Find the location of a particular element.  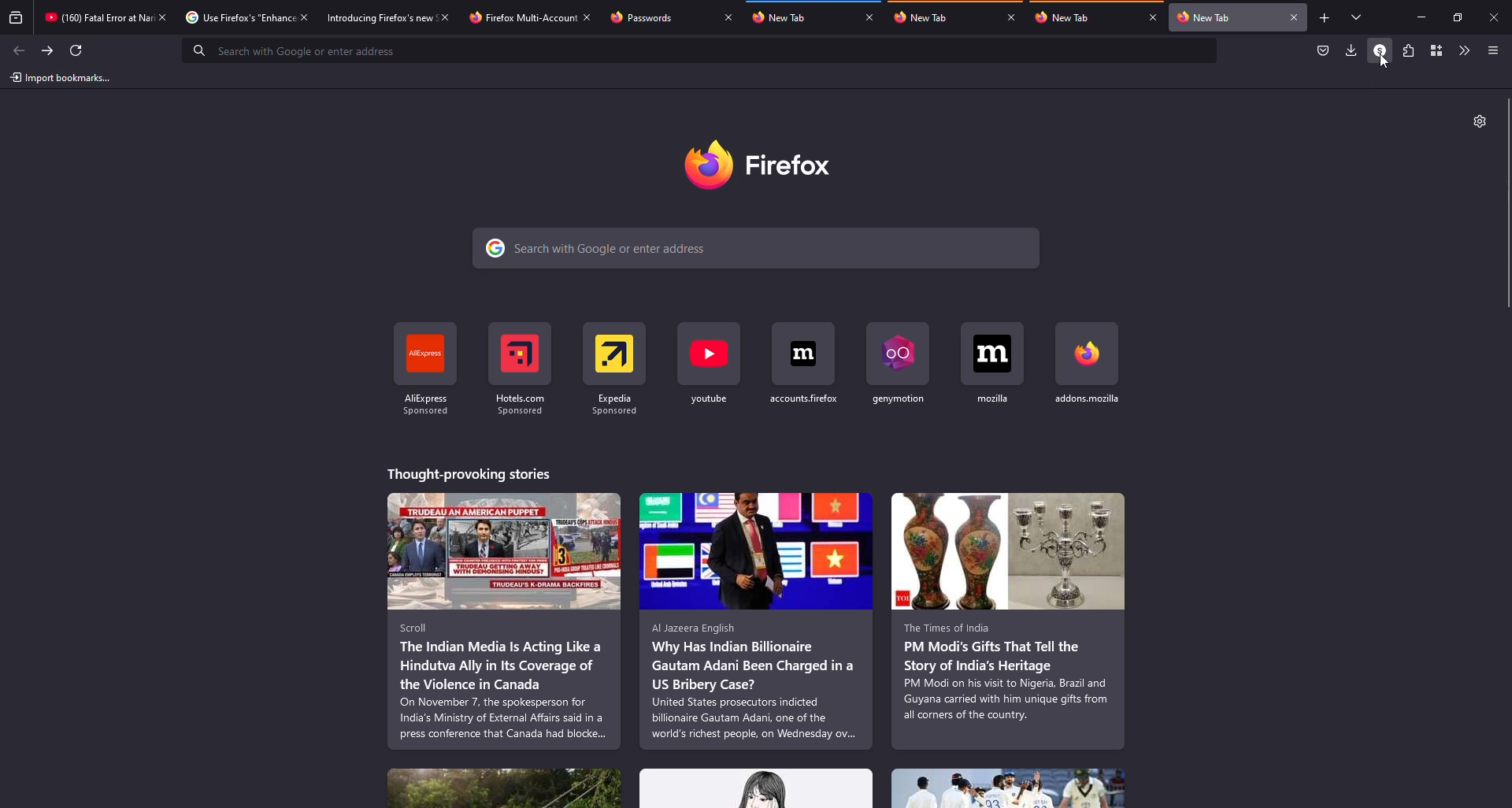

close is located at coordinates (161, 17).